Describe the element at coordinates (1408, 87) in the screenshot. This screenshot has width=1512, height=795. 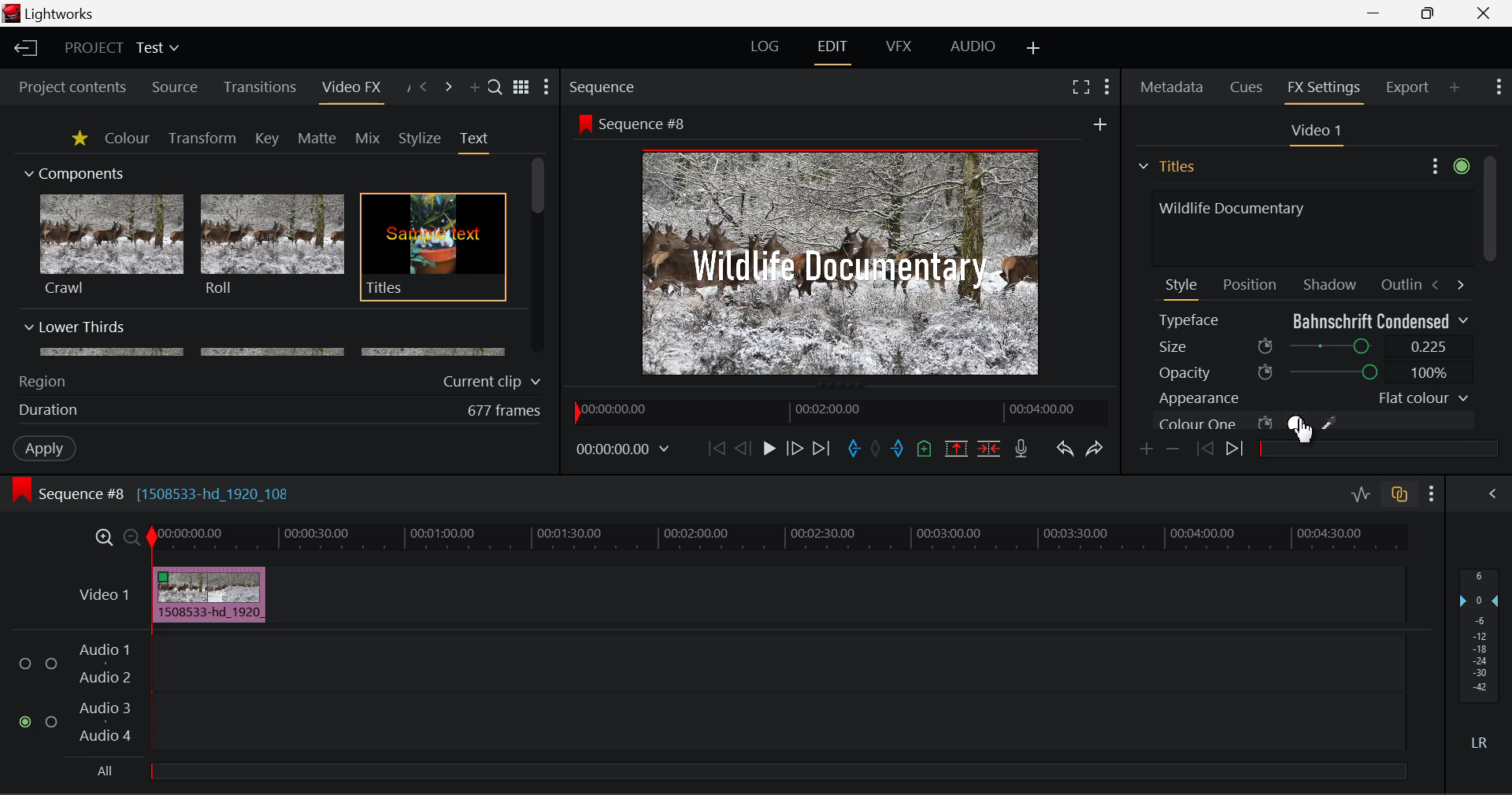
I see `Export` at that location.